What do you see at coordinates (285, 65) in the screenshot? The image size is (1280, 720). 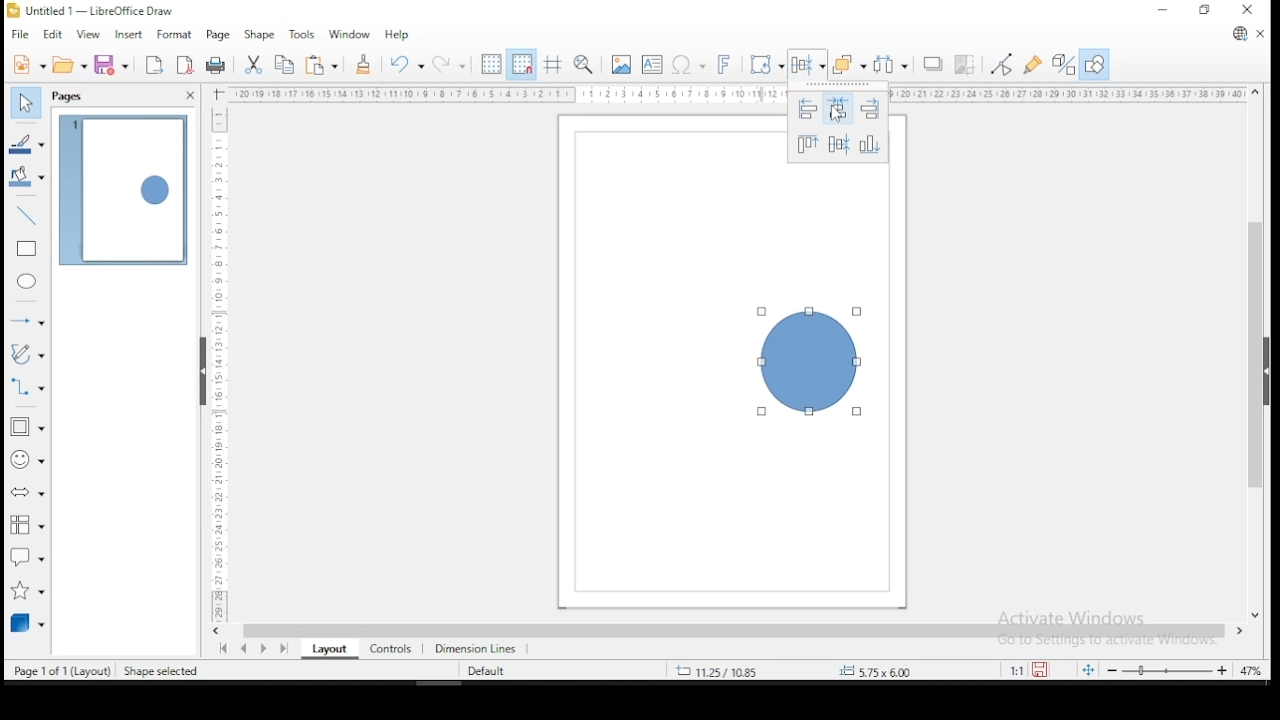 I see `copy` at bounding box center [285, 65].